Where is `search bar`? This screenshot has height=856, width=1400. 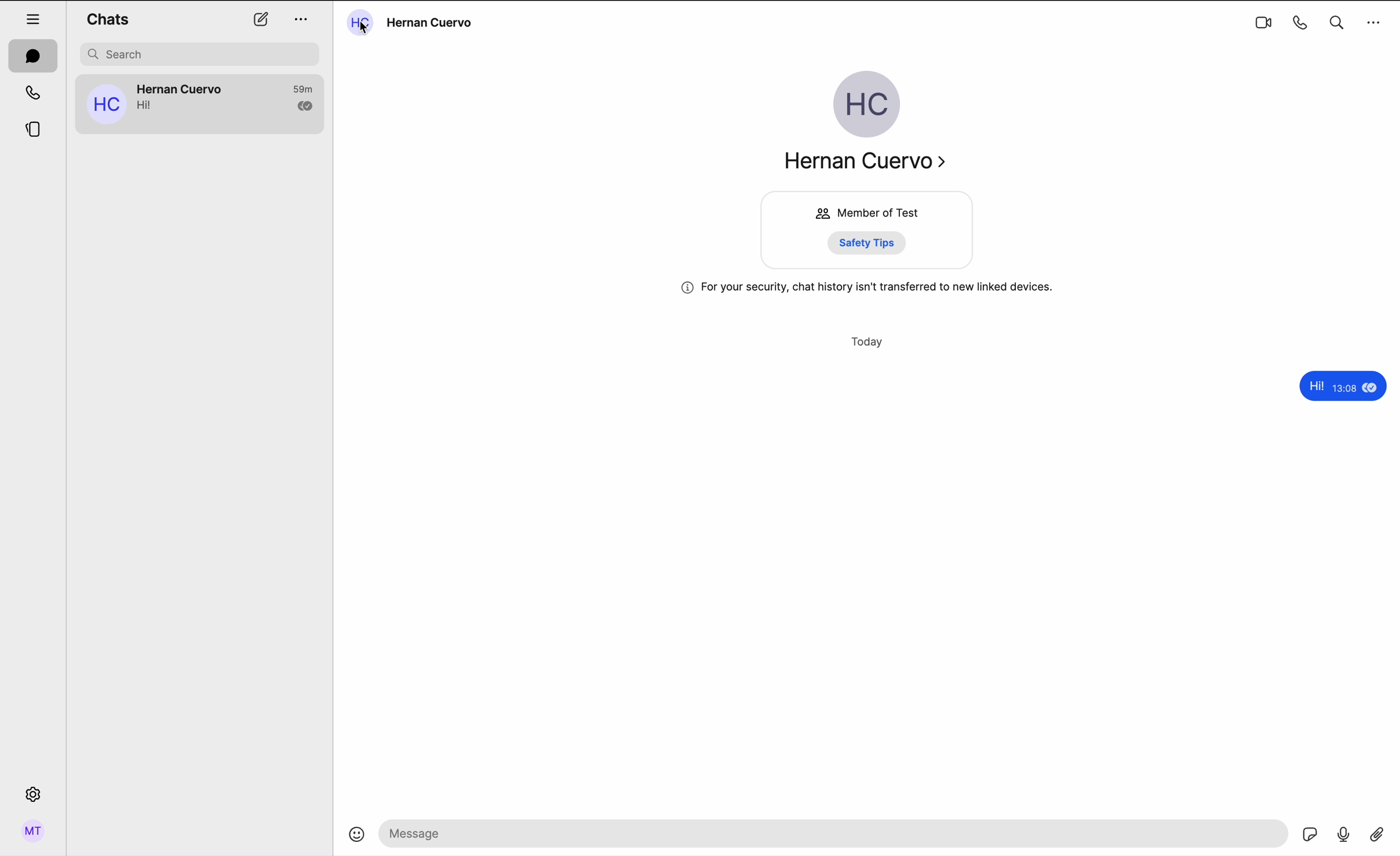 search bar is located at coordinates (202, 54).